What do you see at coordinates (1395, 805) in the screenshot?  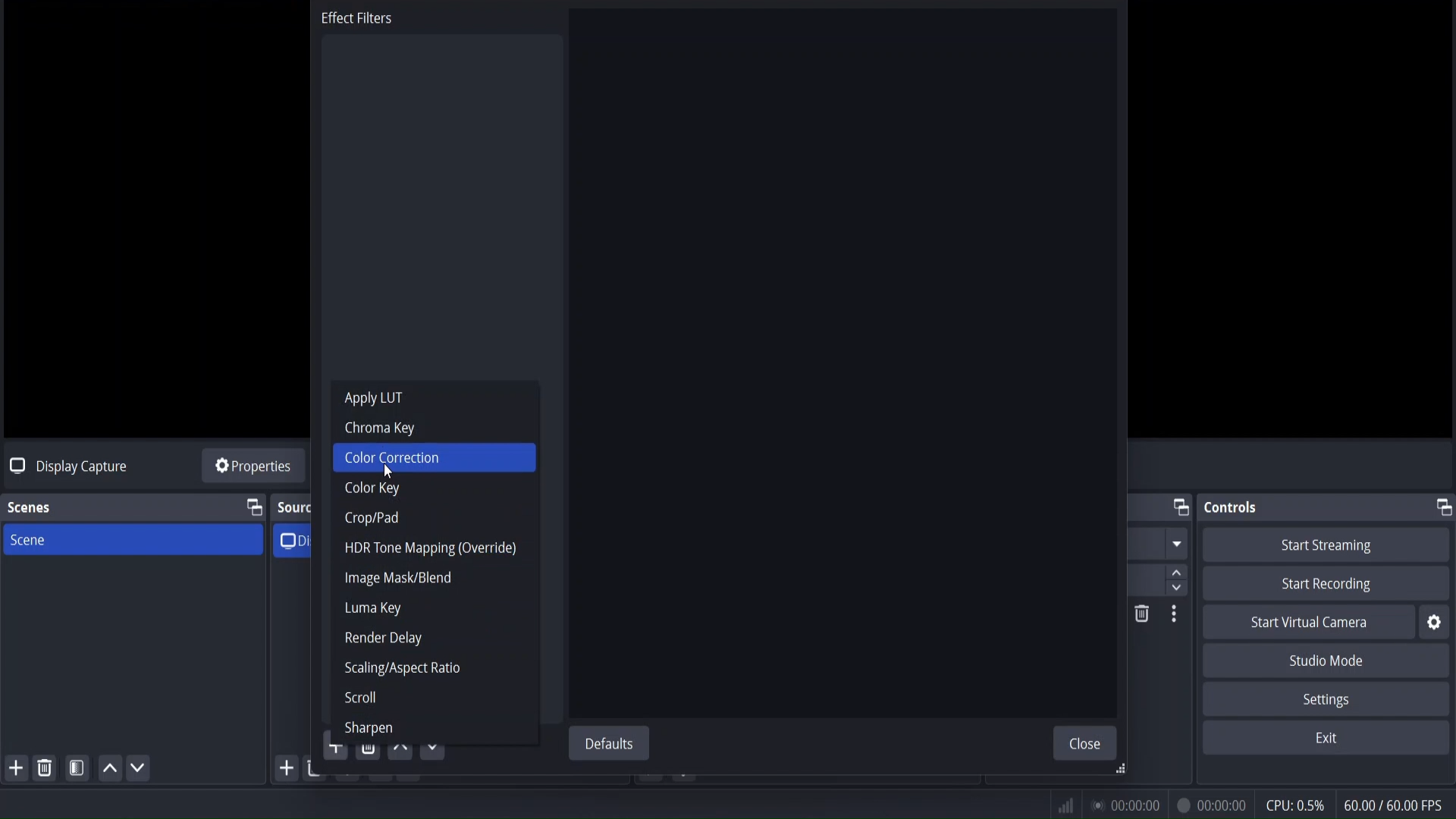 I see `fps` at bounding box center [1395, 805].